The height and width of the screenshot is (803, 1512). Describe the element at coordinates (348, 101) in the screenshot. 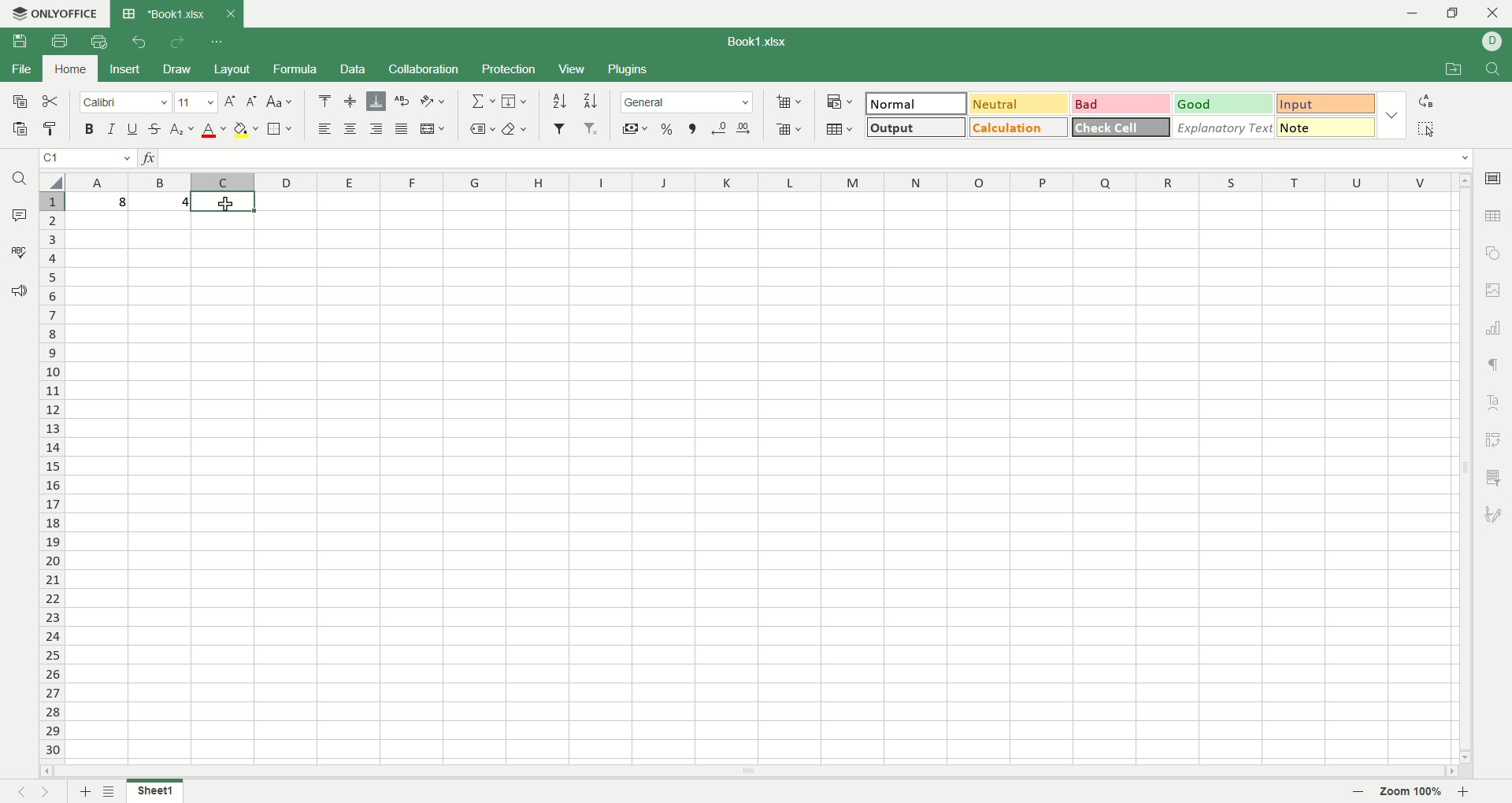

I see `align middle` at that location.